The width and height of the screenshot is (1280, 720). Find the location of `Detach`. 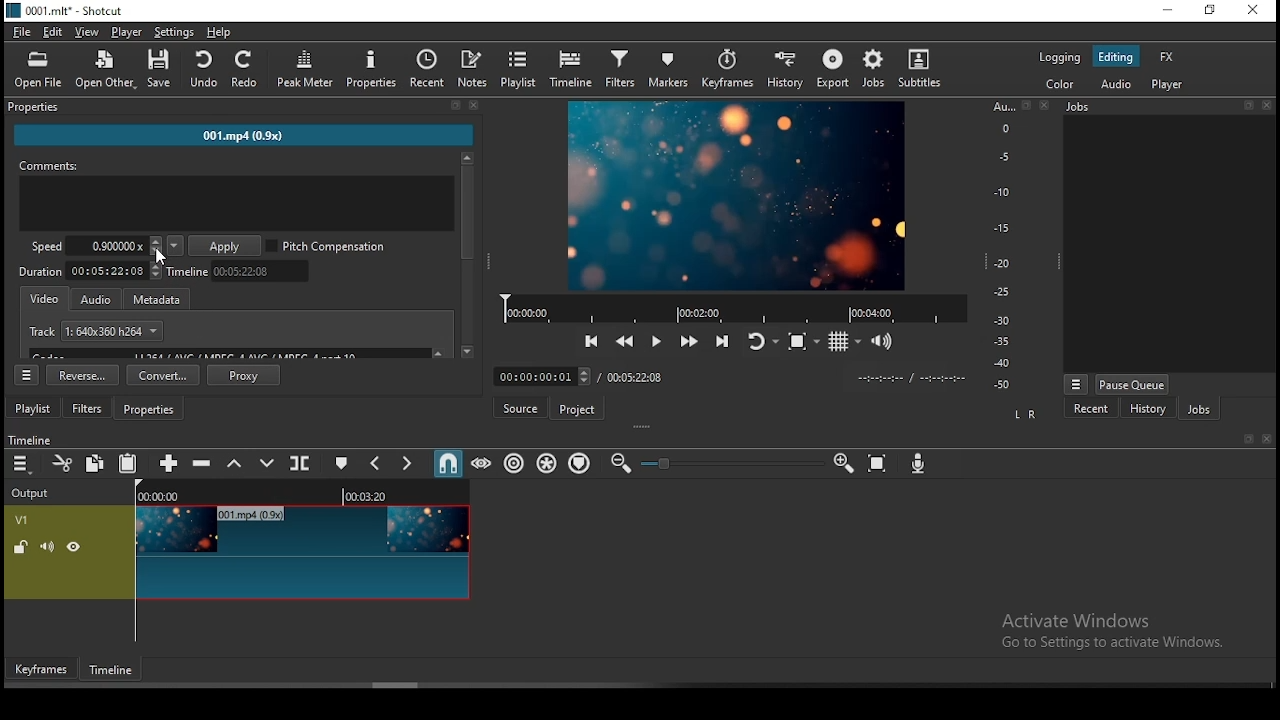

Detach is located at coordinates (1026, 105).